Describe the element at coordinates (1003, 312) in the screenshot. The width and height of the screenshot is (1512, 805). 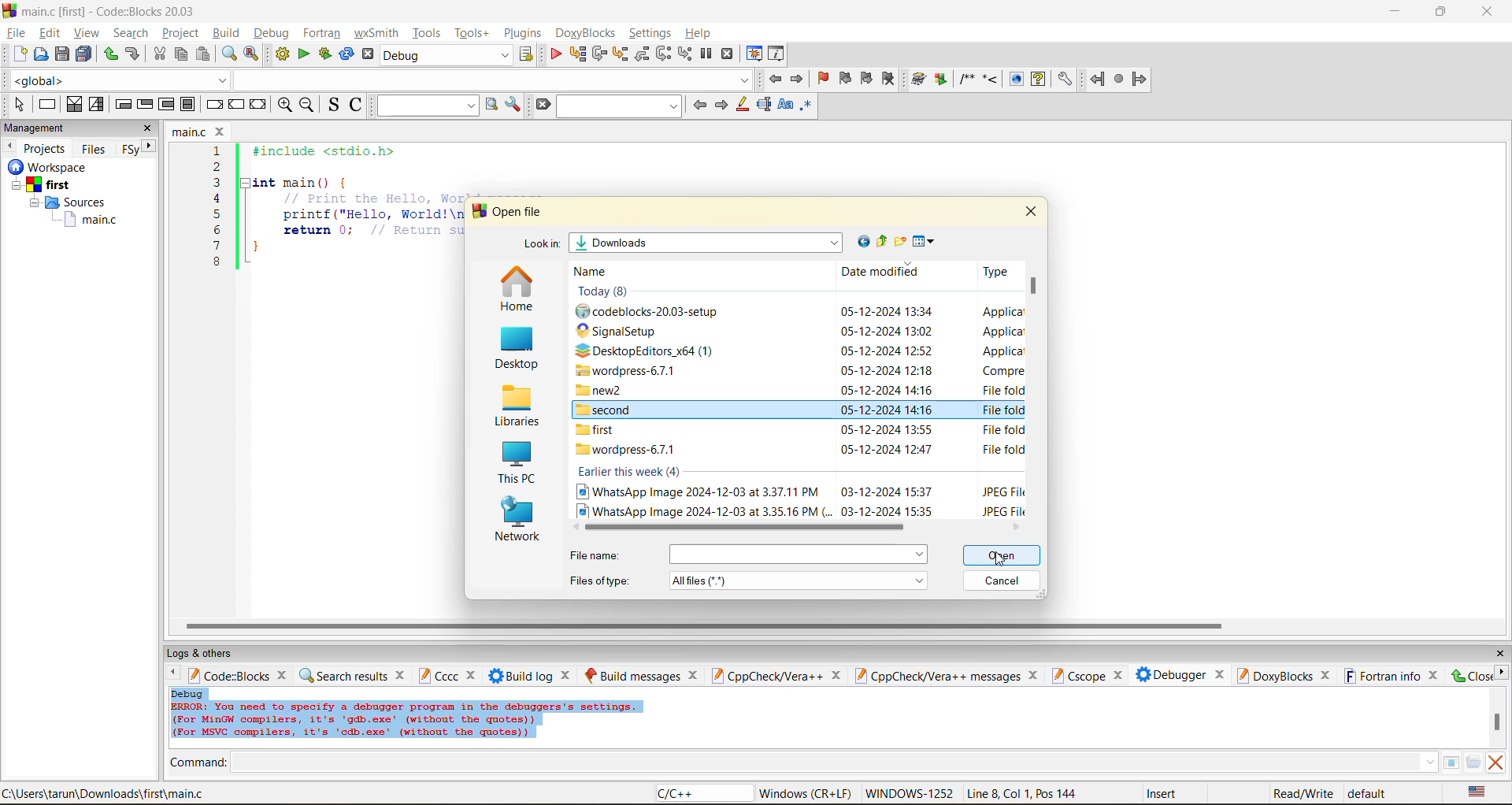
I see `type` at that location.